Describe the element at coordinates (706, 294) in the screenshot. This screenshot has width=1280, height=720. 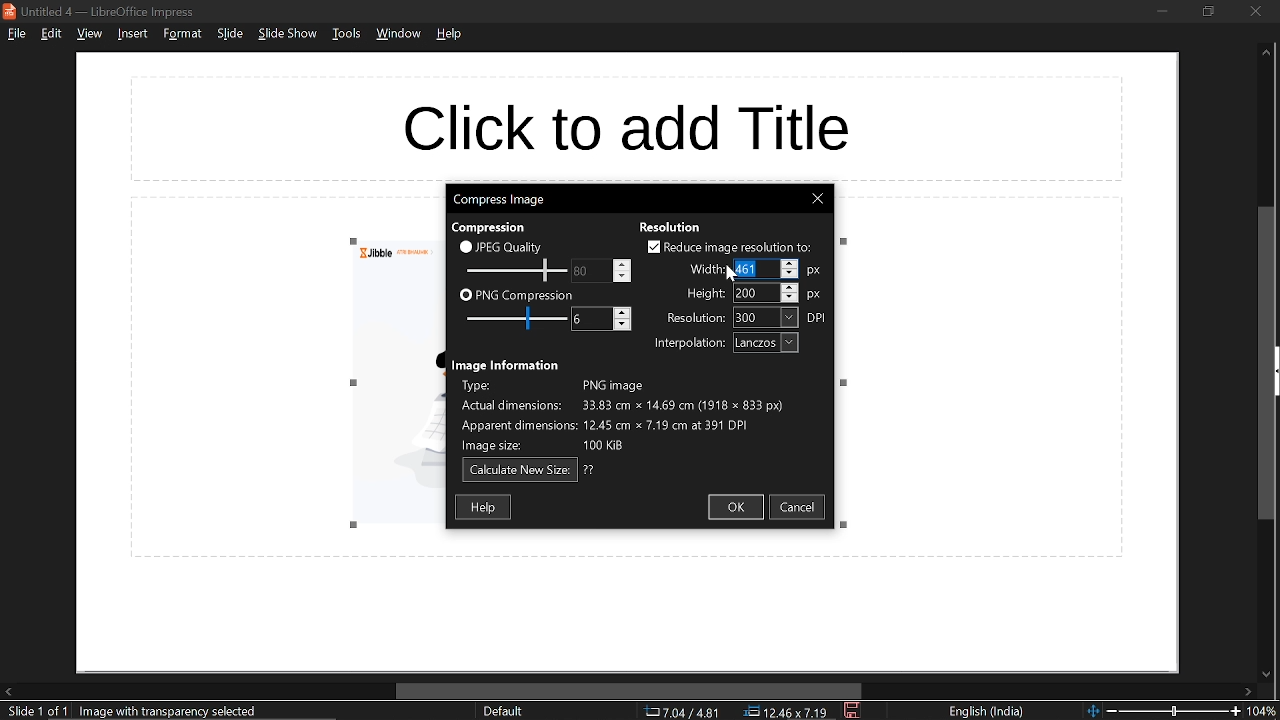
I see `text` at that location.